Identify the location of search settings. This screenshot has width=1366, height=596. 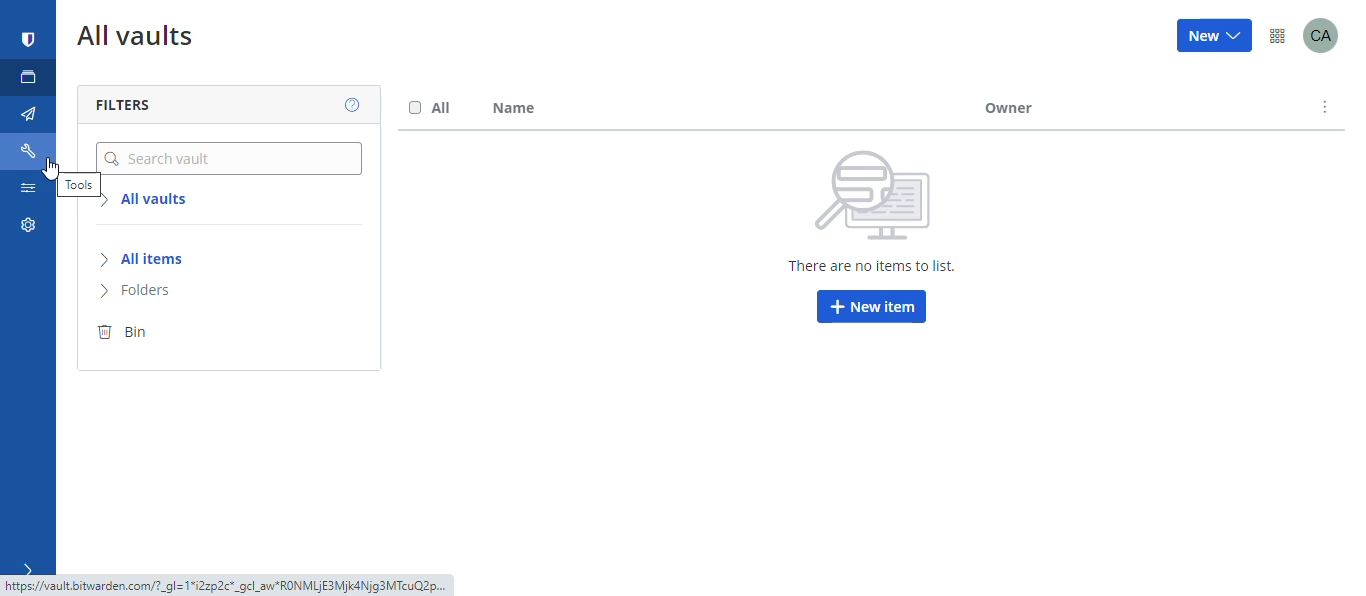
(27, 192).